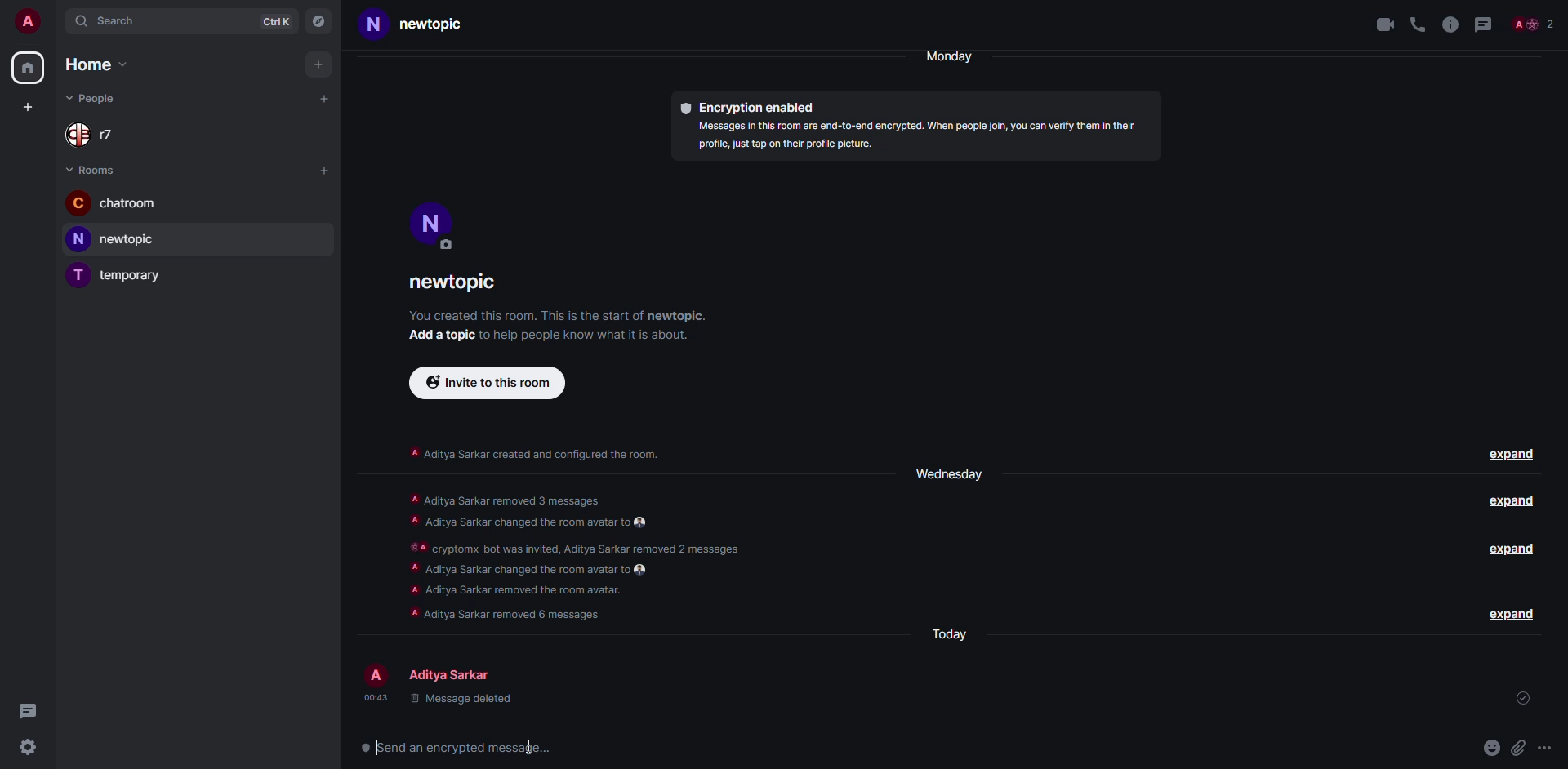 The width and height of the screenshot is (1568, 769). Describe the element at coordinates (1379, 24) in the screenshot. I see `video` at that location.